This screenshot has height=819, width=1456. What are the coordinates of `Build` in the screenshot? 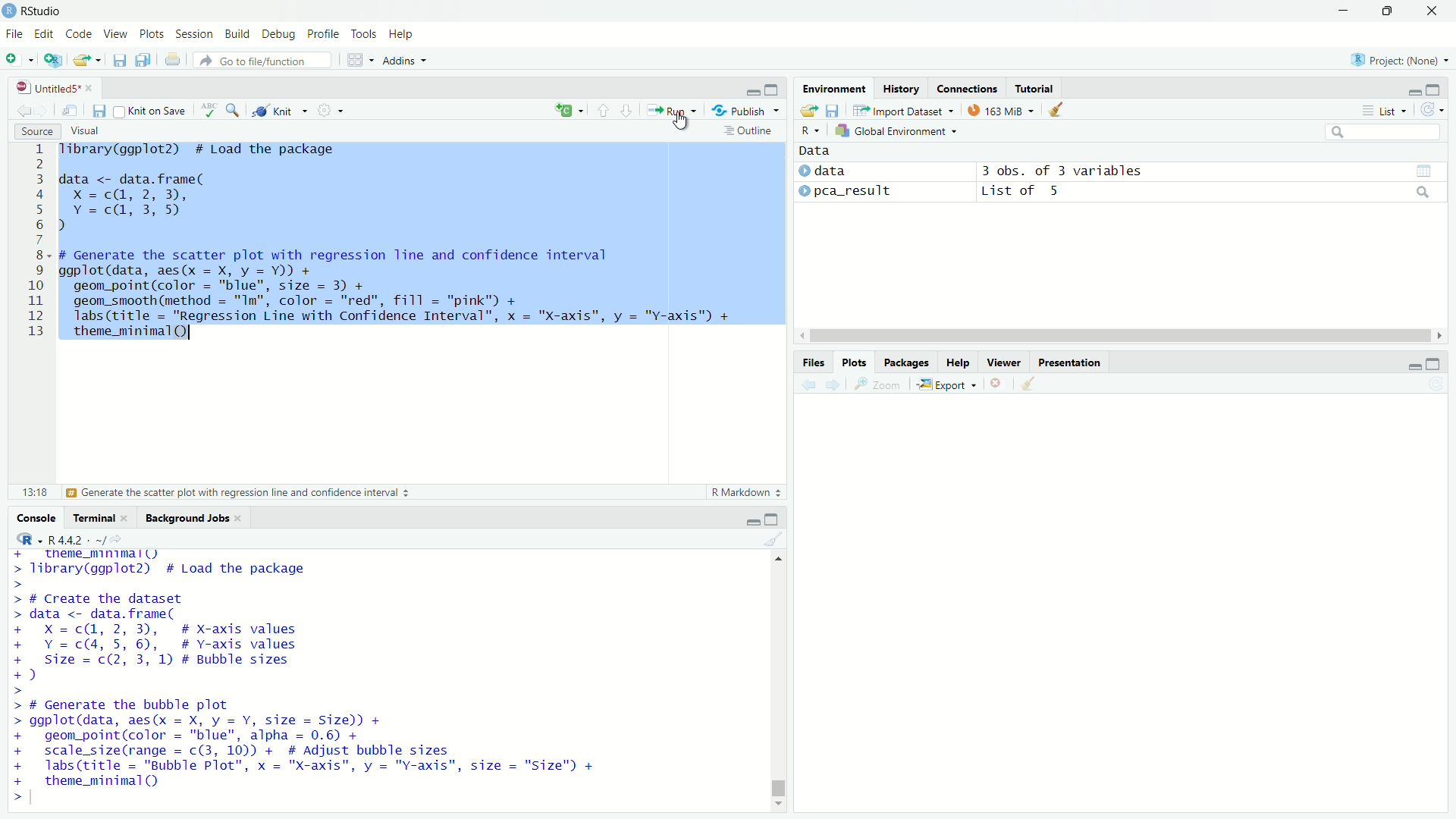 It's located at (237, 33).